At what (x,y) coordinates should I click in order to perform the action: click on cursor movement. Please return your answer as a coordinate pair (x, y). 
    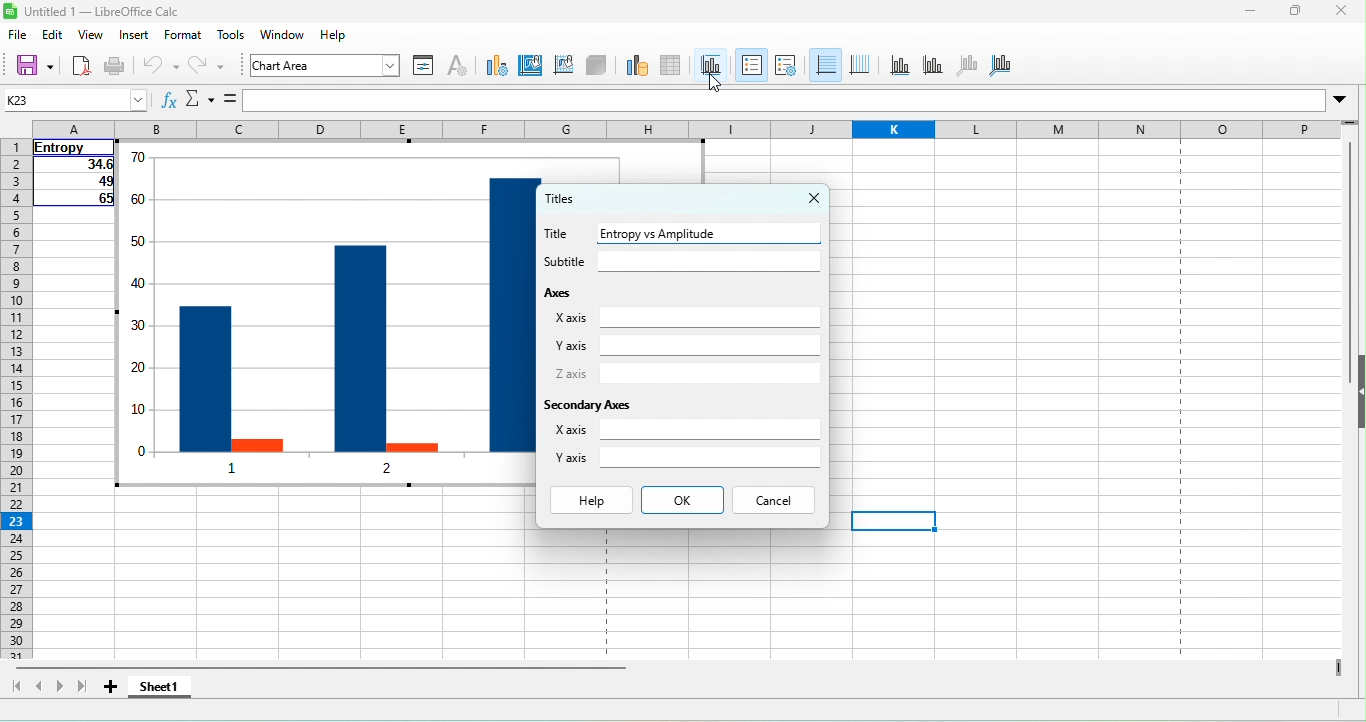
    Looking at the image, I should click on (709, 84).